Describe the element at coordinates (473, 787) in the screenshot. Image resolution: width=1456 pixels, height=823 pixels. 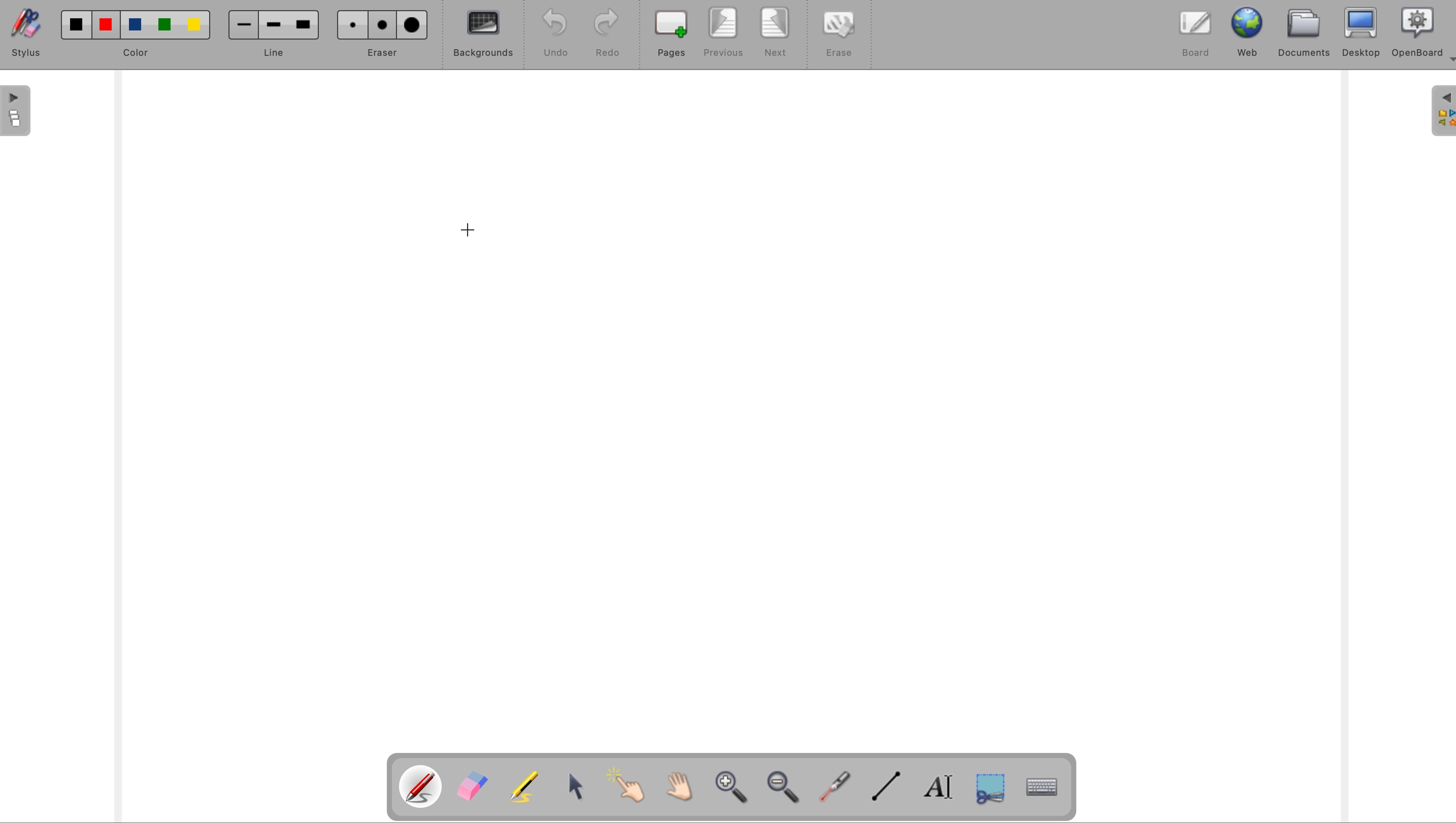
I see `eraser` at that location.